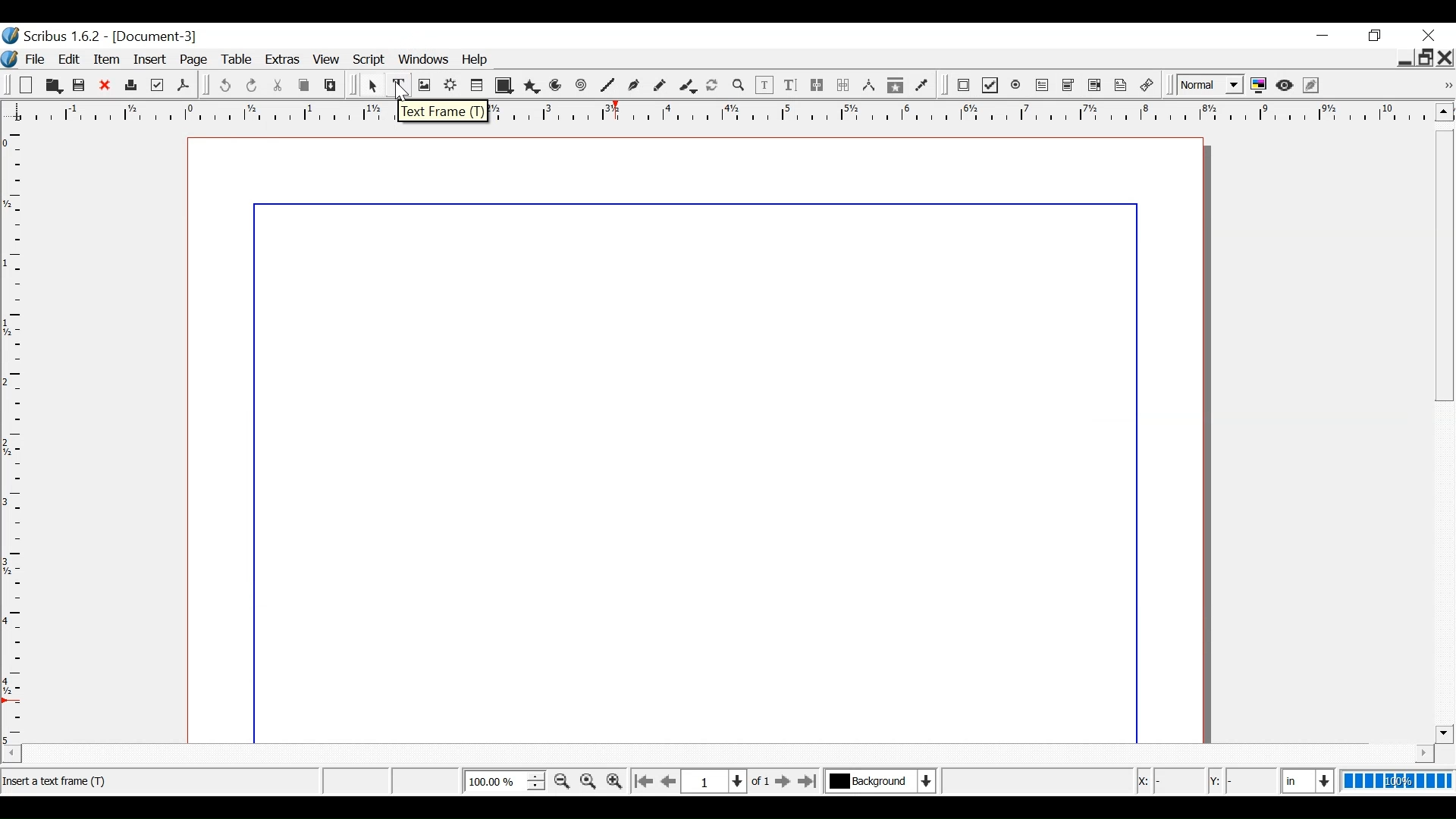 This screenshot has height=819, width=1456. What do you see at coordinates (479, 59) in the screenshot?
I see `Help` at bounding box center [479, 59].